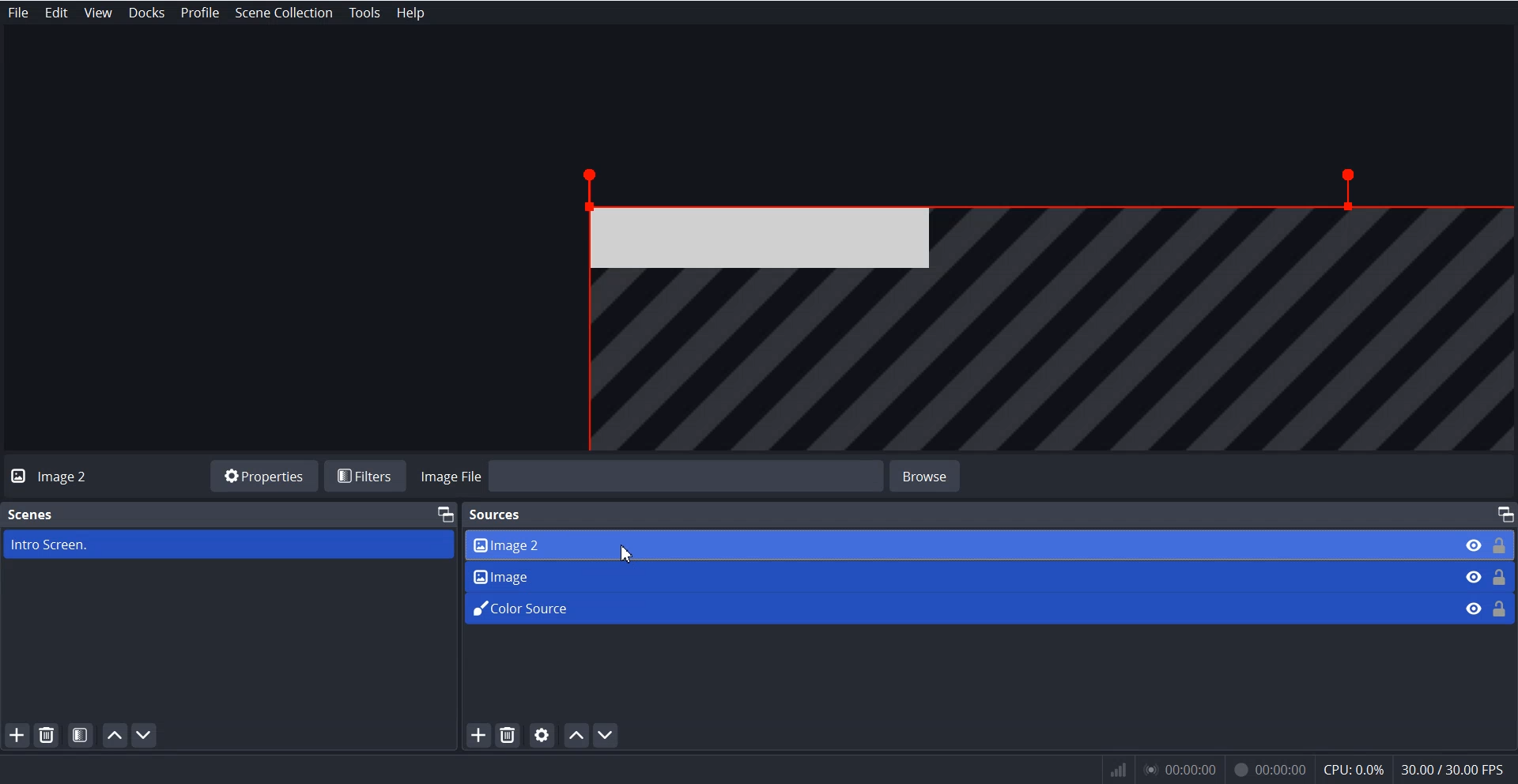 Image resolution: width=1518 pixels, height=784 pixels. What do you see at coordinates (1180, 770) in the screenshot?
I see `00:00:00` at bounding box center [1180, 770].